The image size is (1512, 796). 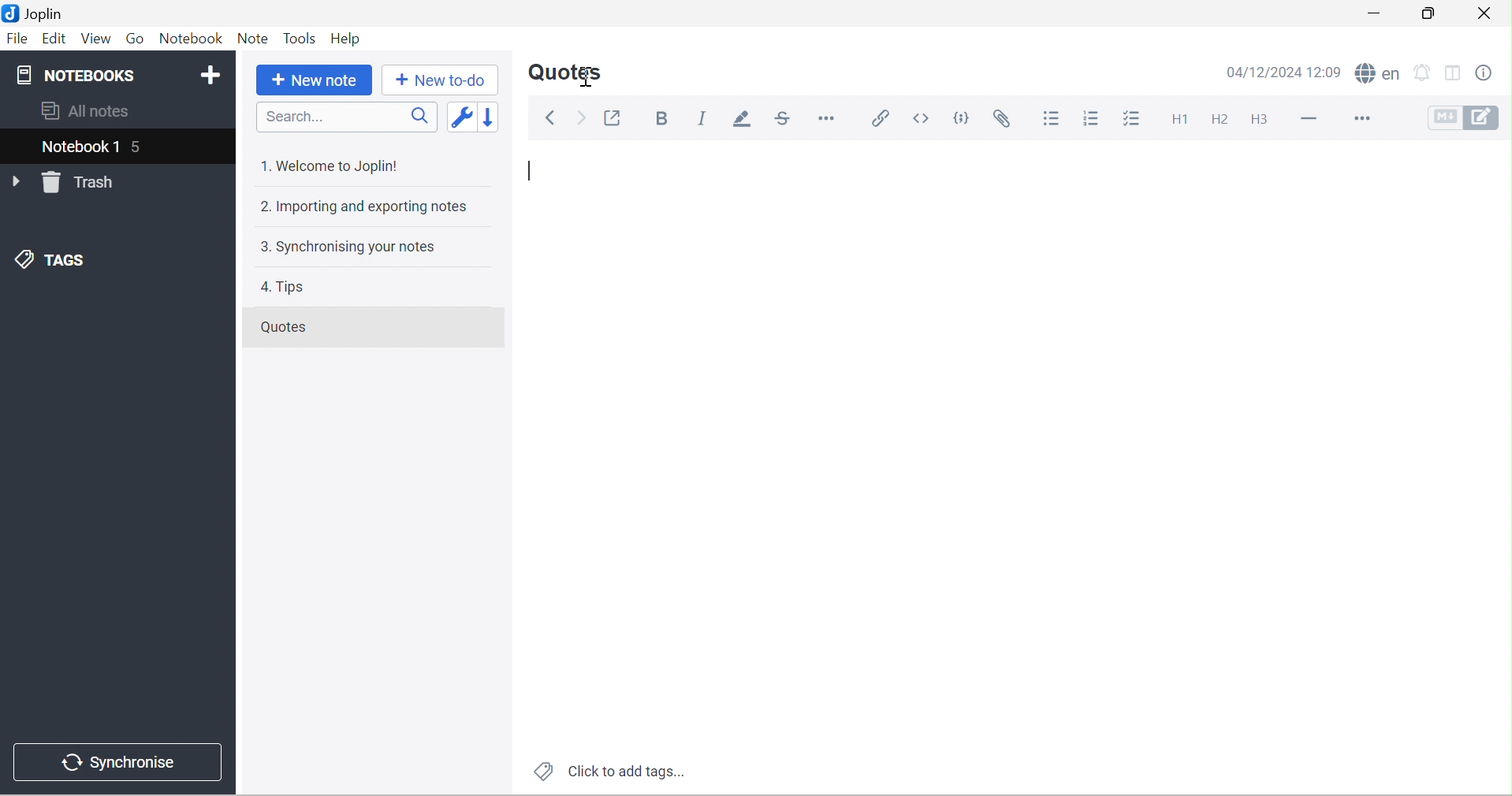 I want to click on Insert / edit code, so click(x=882, y=119).